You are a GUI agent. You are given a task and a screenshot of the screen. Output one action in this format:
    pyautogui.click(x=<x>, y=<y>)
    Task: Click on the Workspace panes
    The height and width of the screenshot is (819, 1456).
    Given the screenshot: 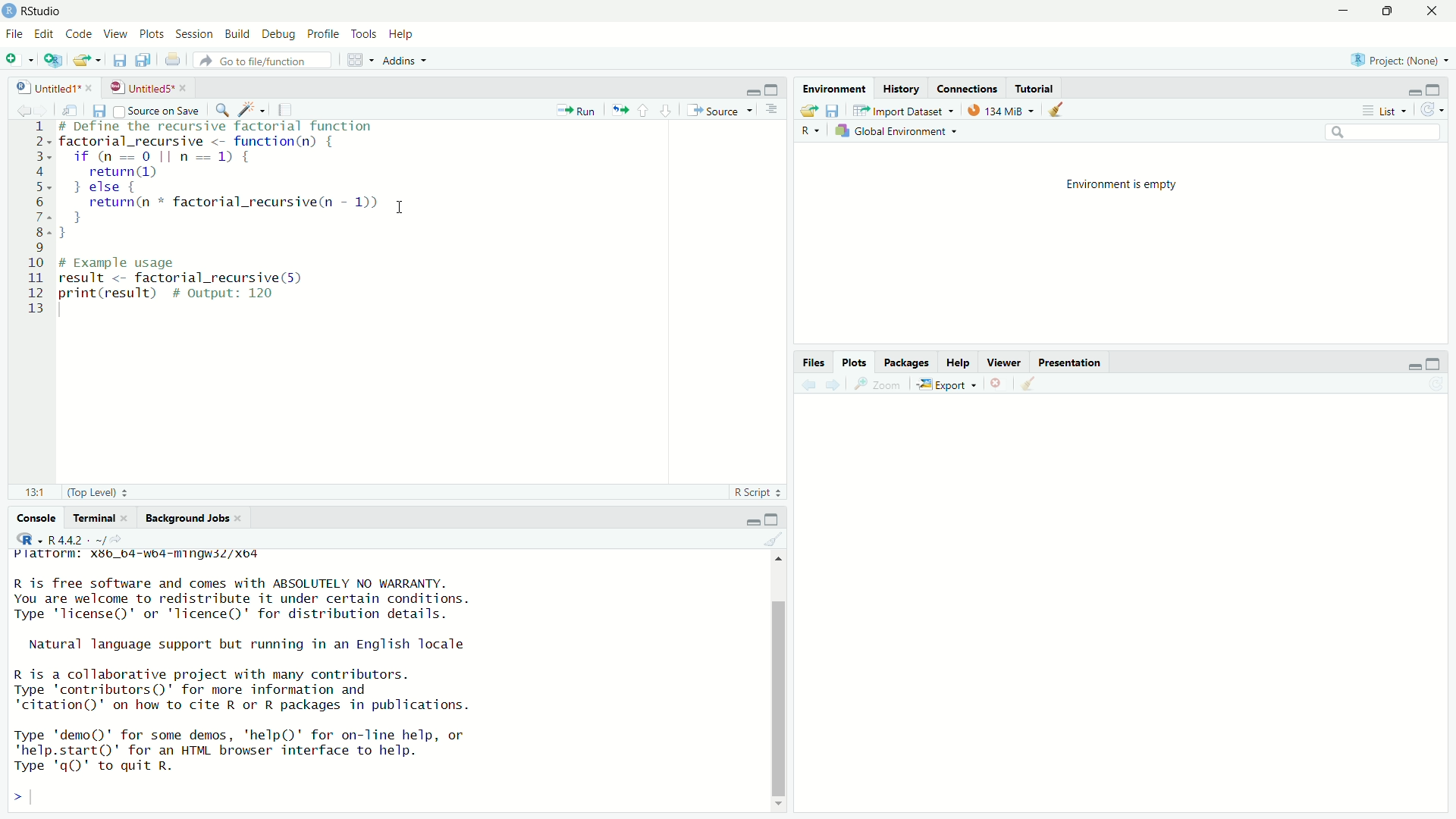 What is the action you would take?
    pyautogui.click(x=359, y=61)
    